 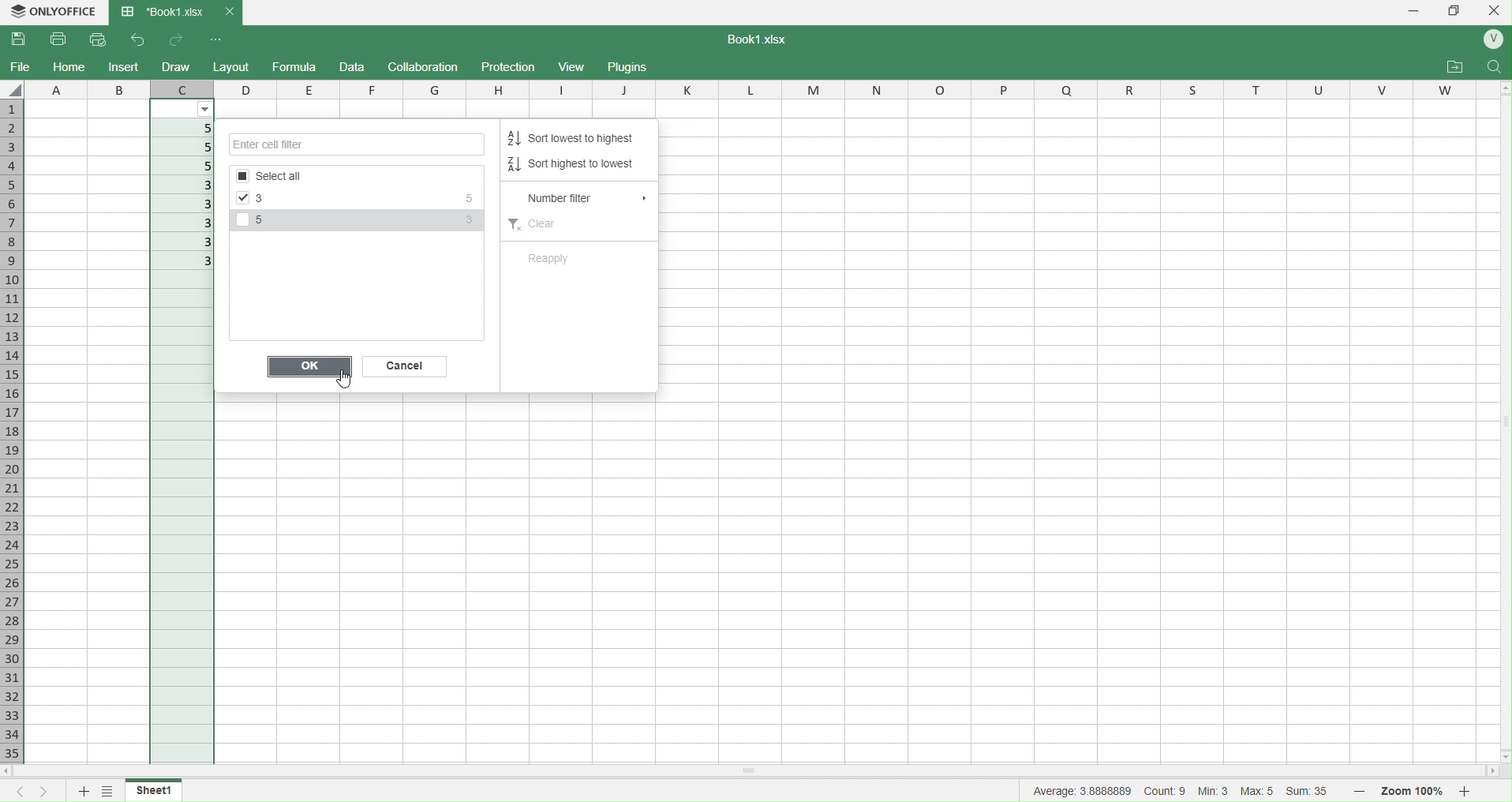 What do you see at coordinates (182, 88) in the screenshot?
I see `c` at bounding box center [182, 88].